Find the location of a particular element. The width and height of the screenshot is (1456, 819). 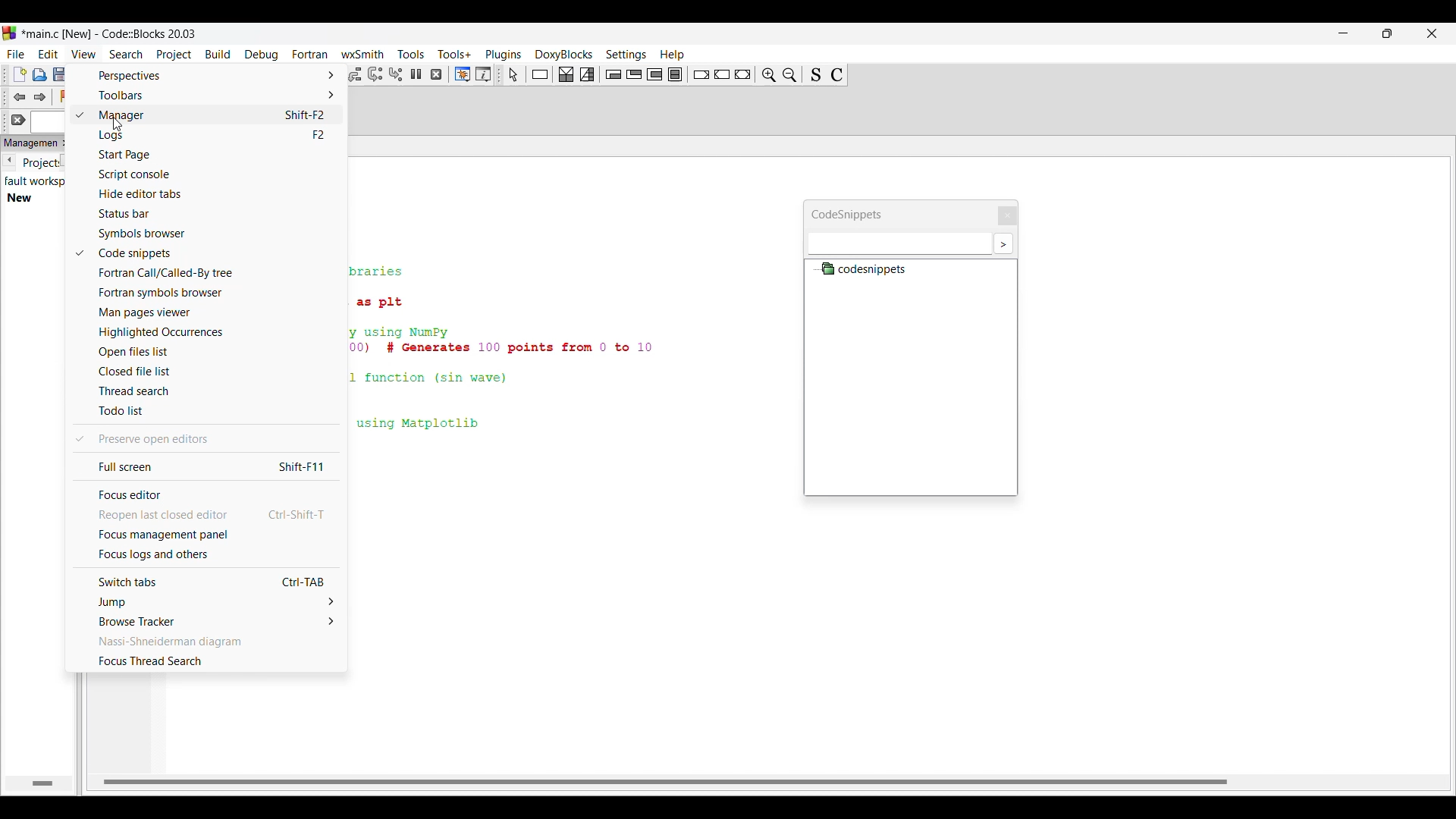

Toggle bookmark is located at coordinates (66, 96).